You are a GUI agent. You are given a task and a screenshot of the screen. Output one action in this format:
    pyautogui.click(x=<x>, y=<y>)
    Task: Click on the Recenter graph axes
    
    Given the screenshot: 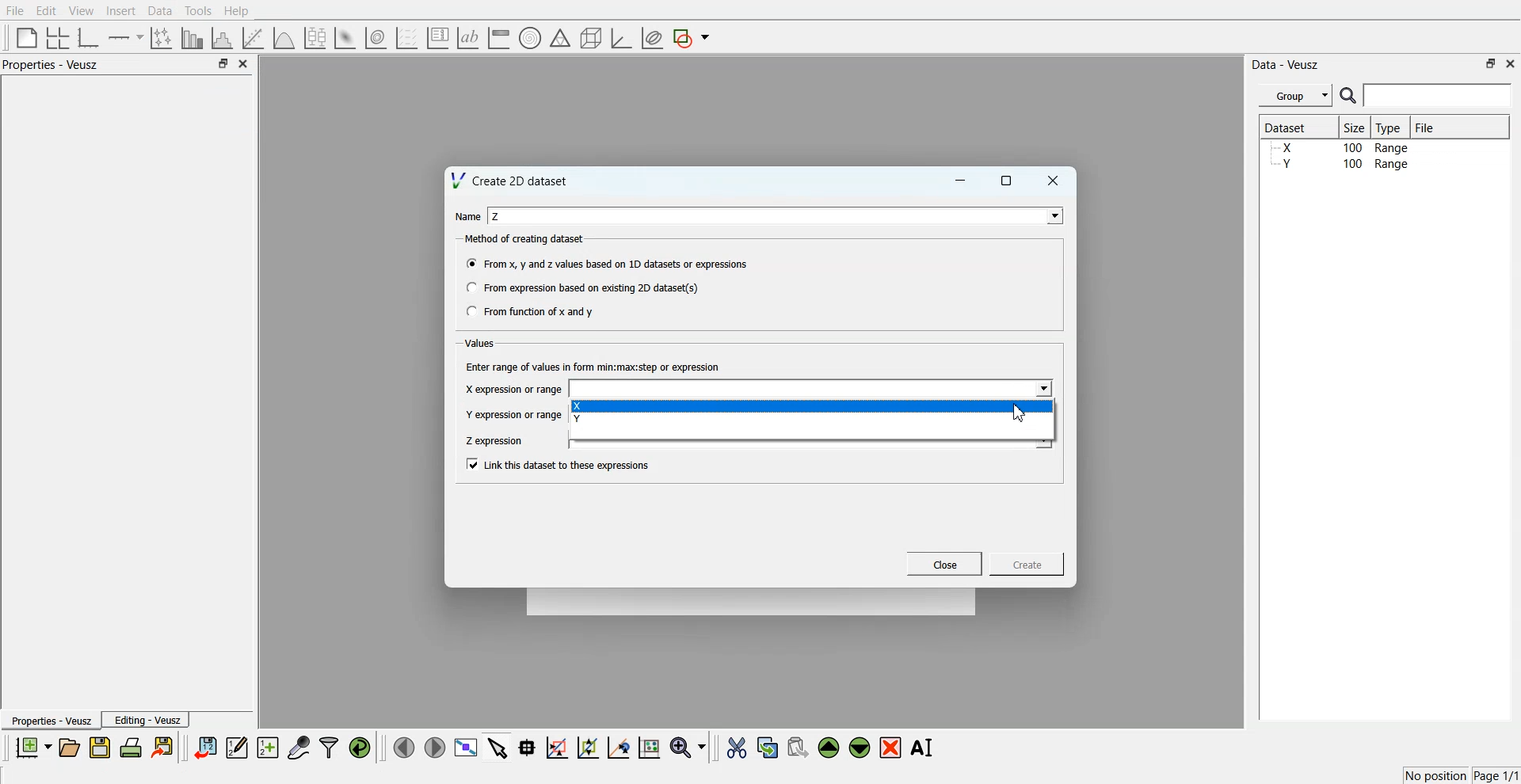 What is the action you would take?
    pyautogui.click(x=619, y=747)
    